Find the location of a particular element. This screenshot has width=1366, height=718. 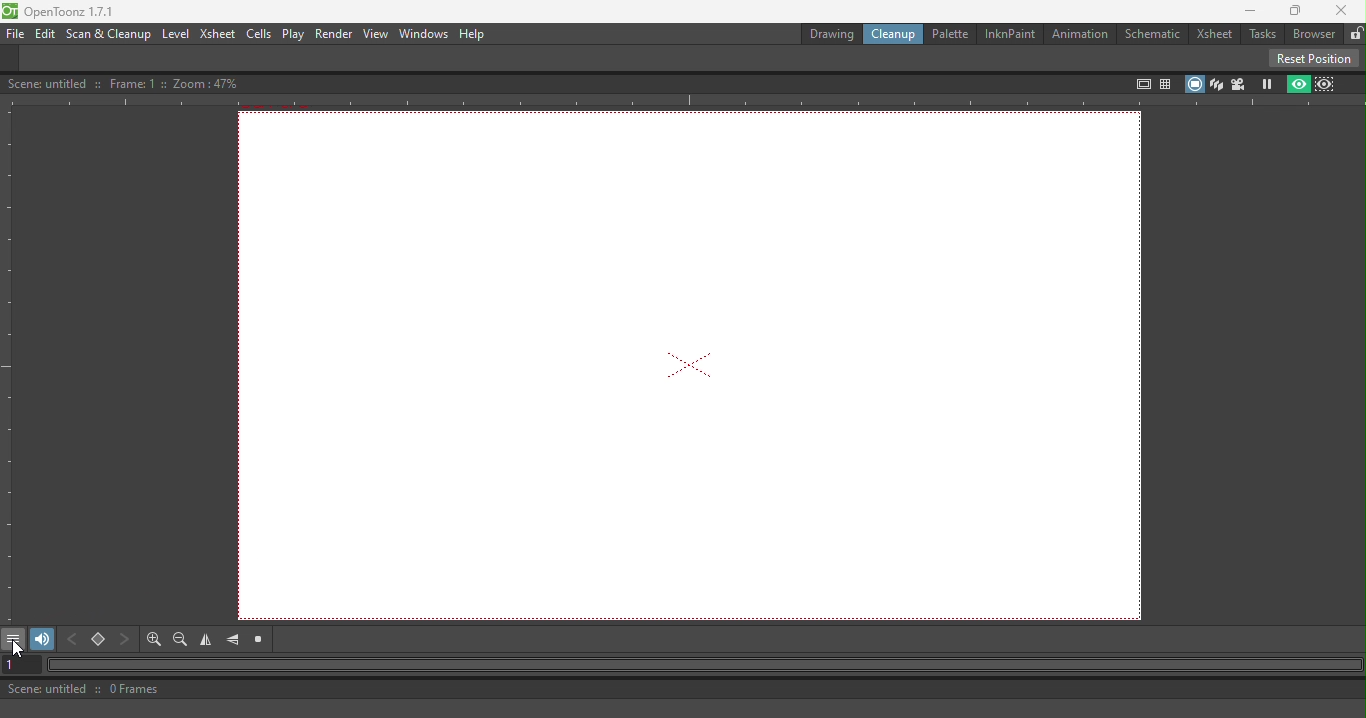

Flip vertically is located at coordinates (233, 640).